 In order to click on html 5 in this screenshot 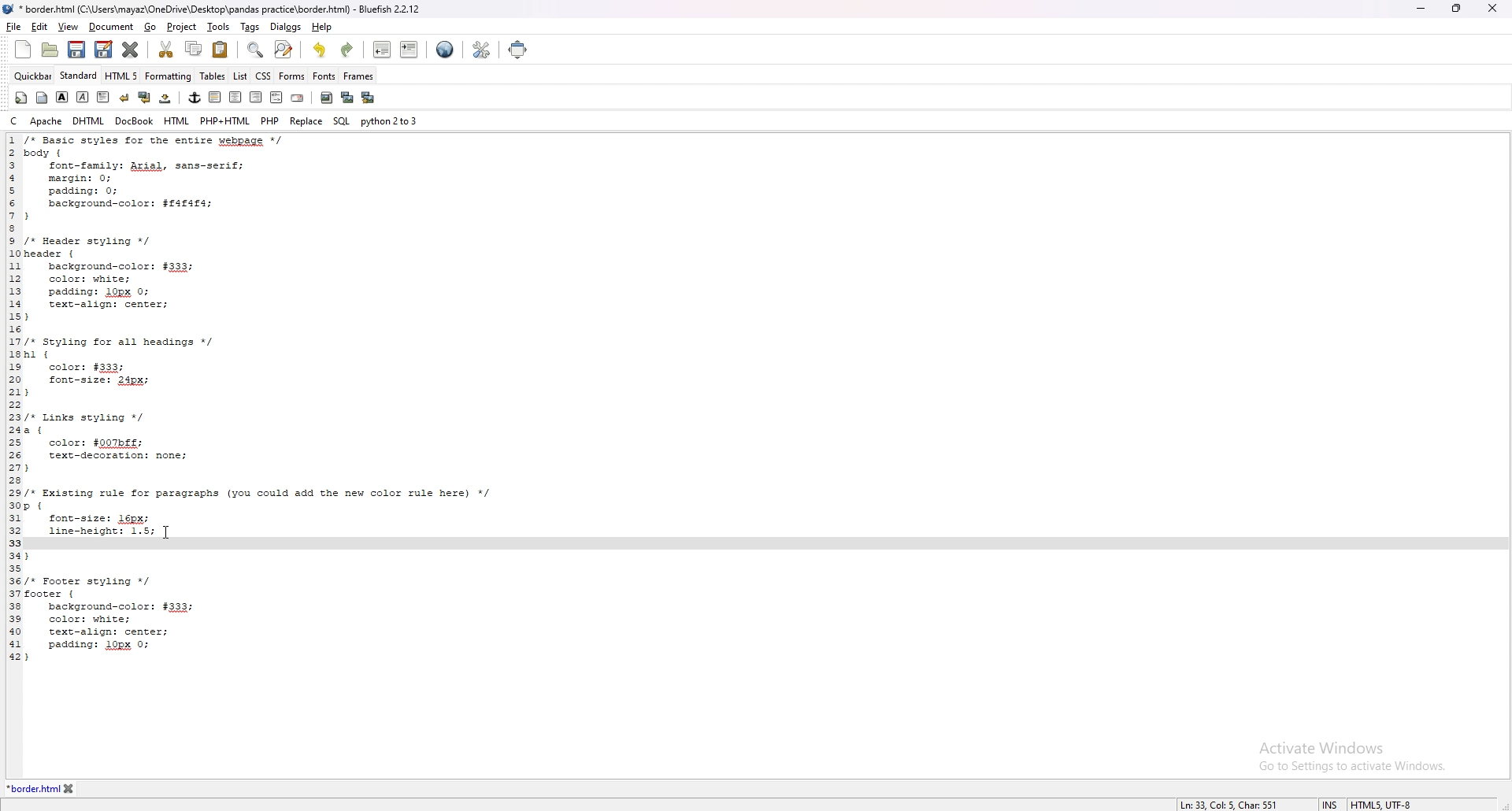, I will do `click(122, 76)`.